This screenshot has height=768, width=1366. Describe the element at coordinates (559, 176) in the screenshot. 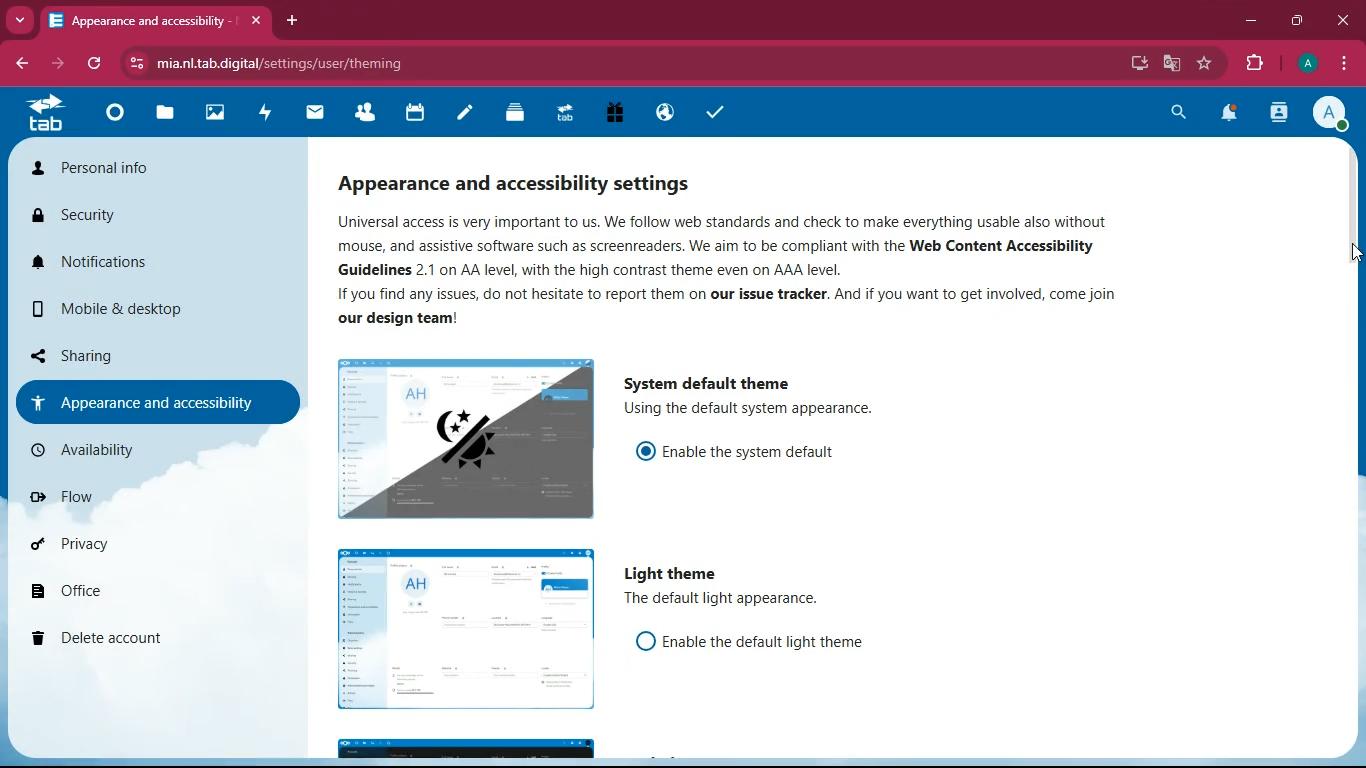

I see `appearance` at that location.